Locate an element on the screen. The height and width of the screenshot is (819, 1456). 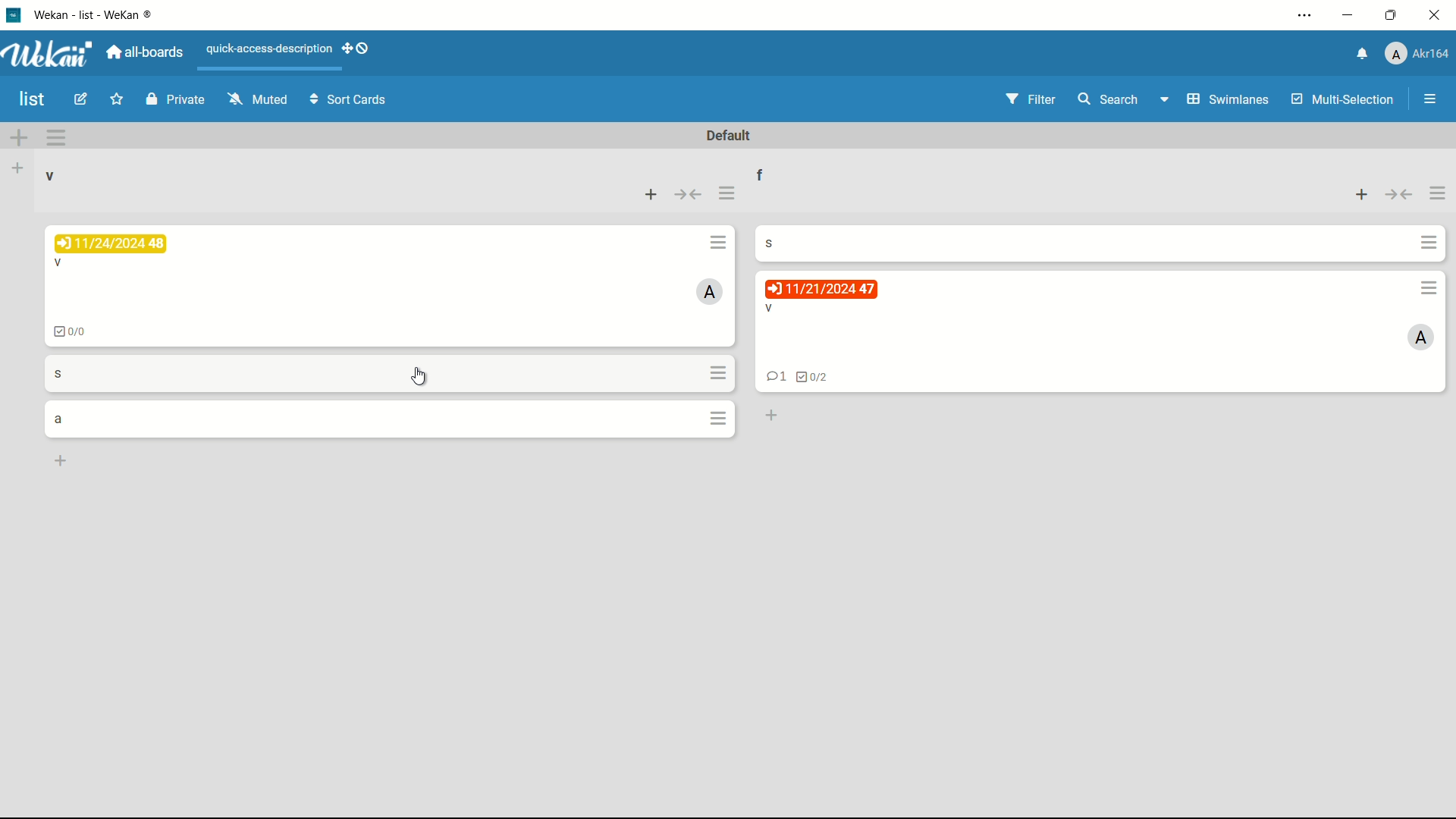
default is located at coordinates (730, 135).